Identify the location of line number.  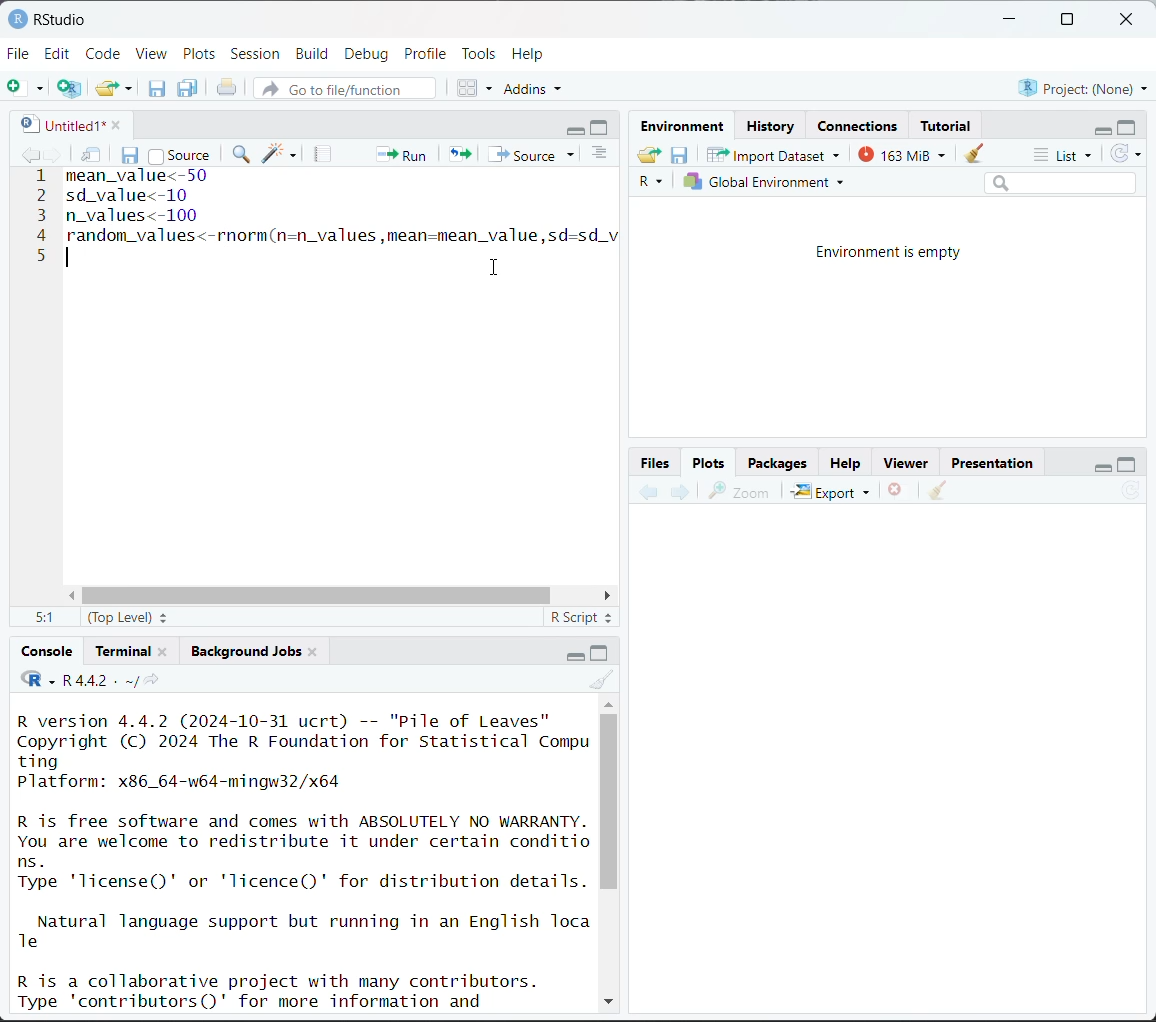
(40, 217).